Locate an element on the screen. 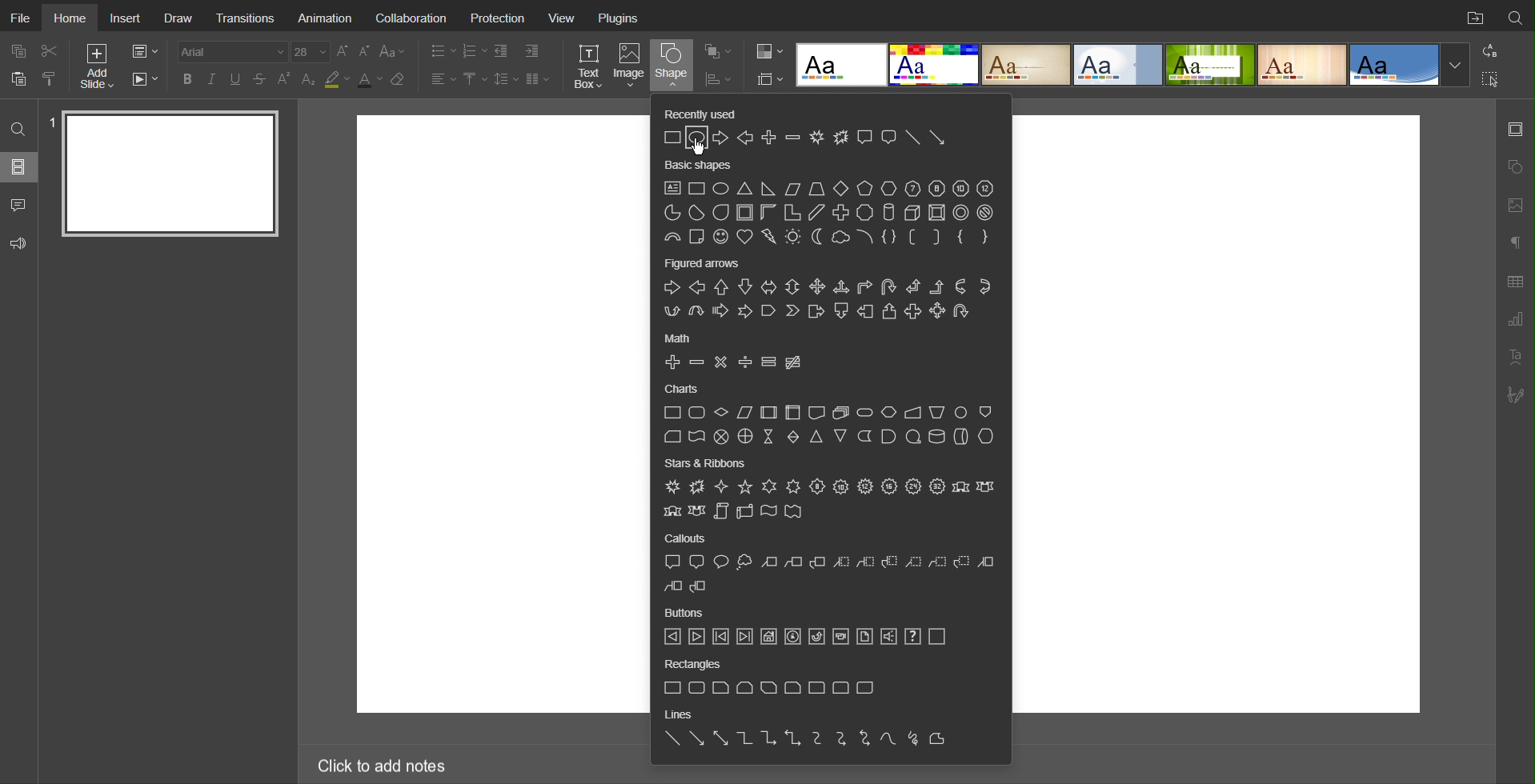  Vertical Alignment is located at coordinates (475, 79).